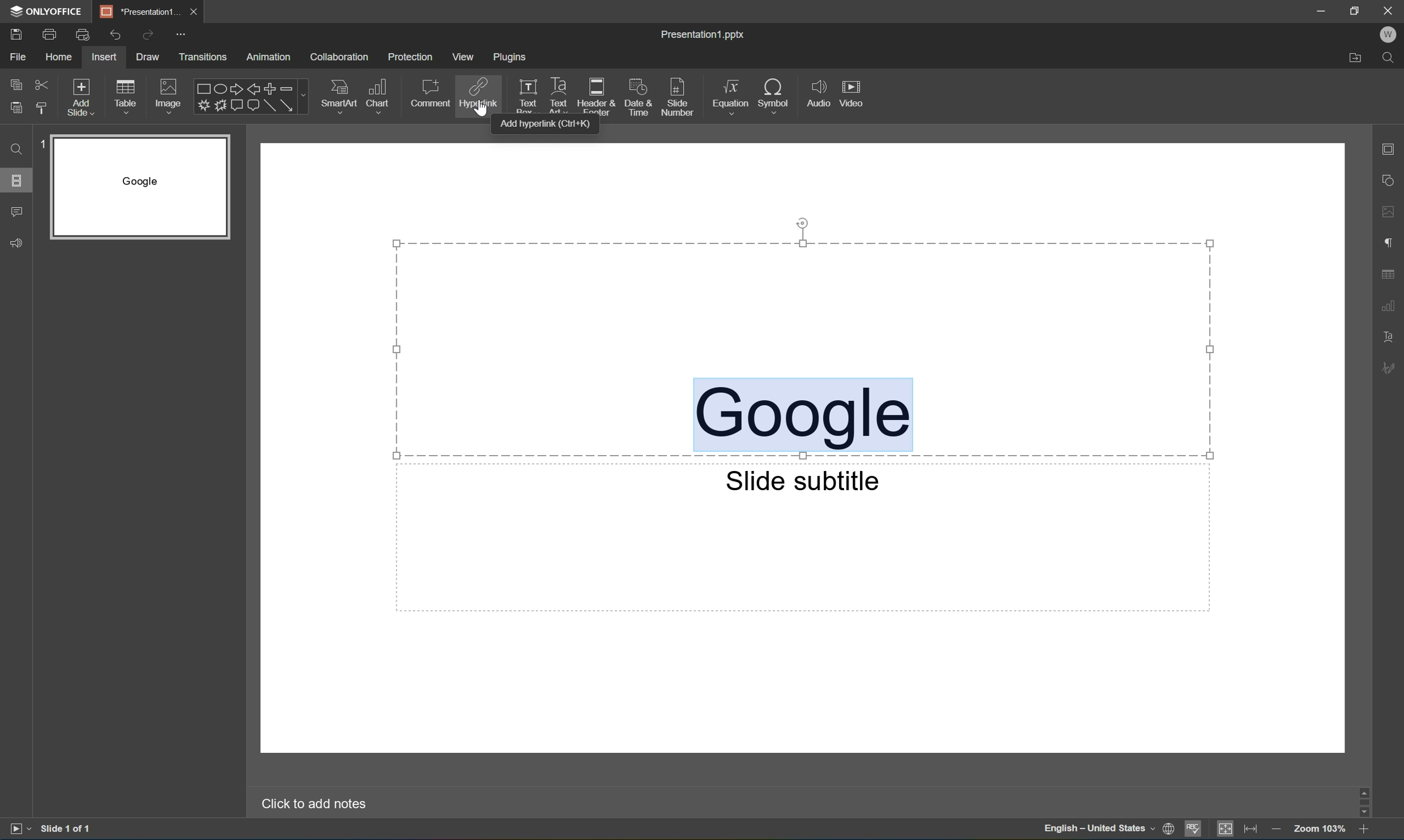 The image size is (1404, 840). I want to click on Undo, so click(115, 36).